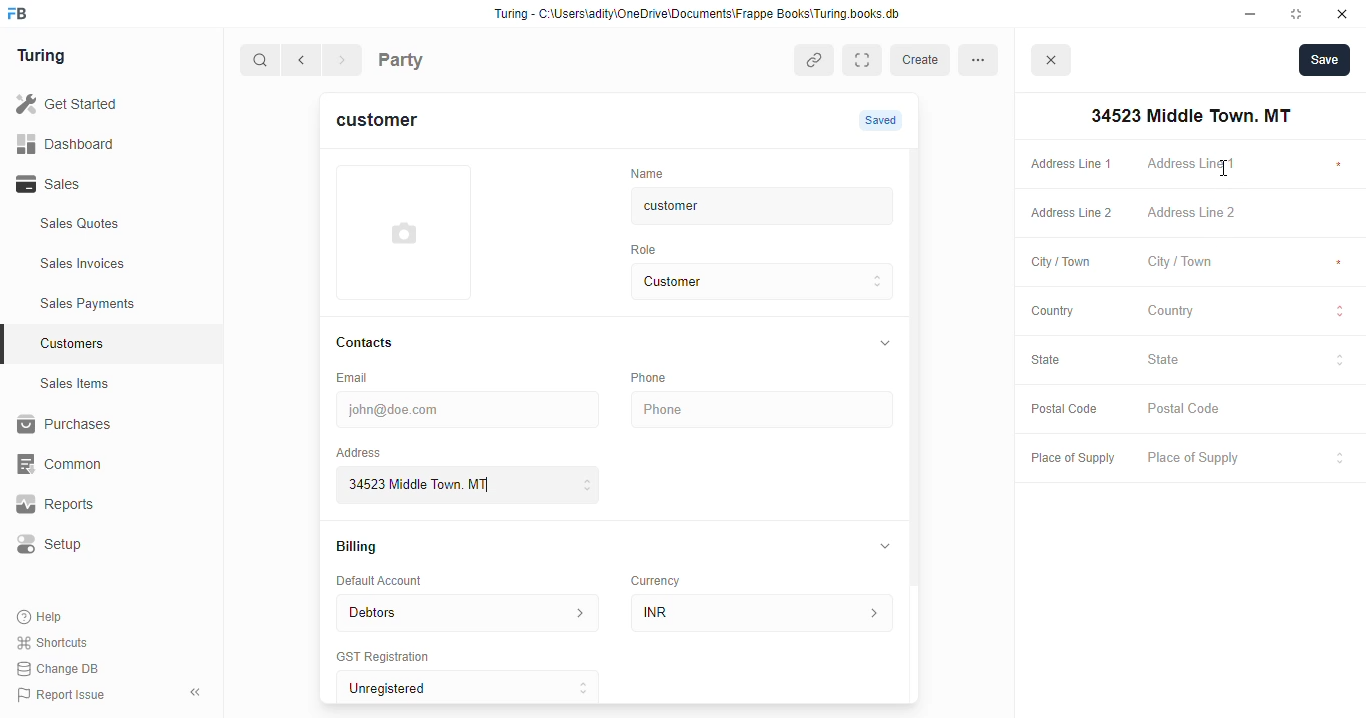 The image size is (1366, 718). Describe the element at coordinates (1067, 214) in the screenshot. I see `Address Line 2` at that location.